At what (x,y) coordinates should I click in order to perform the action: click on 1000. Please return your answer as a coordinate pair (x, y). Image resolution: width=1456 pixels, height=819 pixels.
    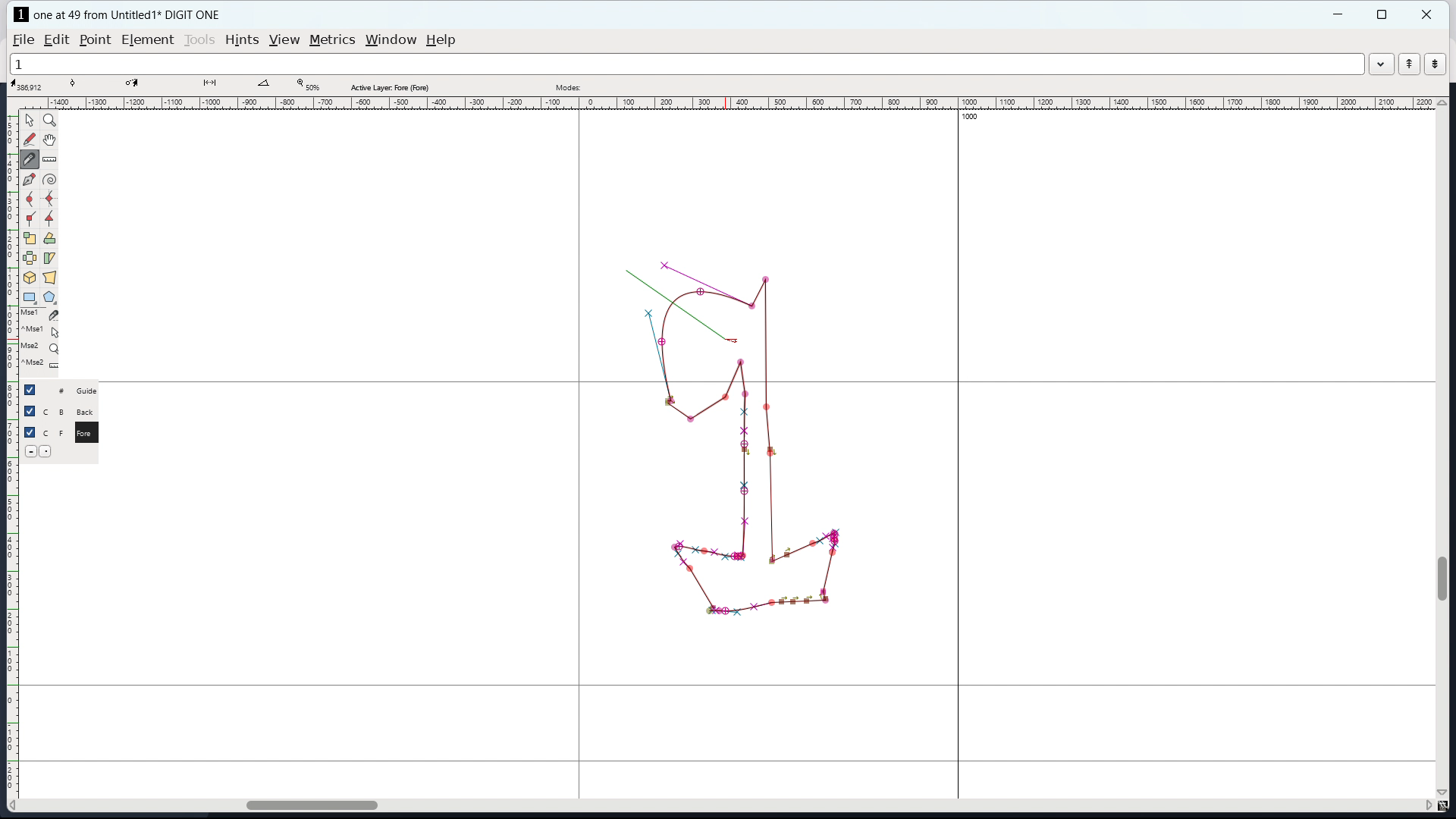
    Looking at the image, I should click on (968, 118).